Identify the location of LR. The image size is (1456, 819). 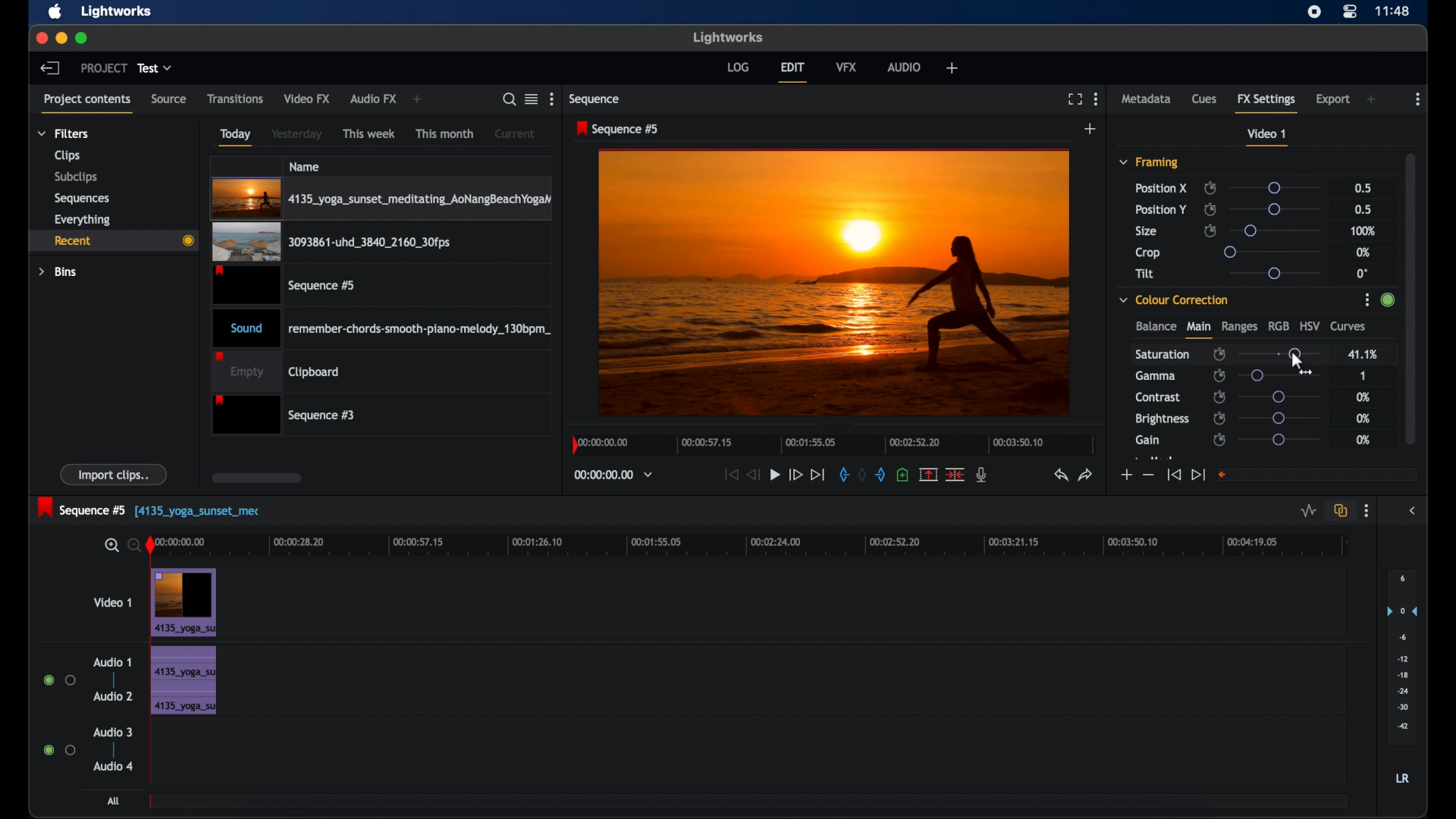
(1402, 779).